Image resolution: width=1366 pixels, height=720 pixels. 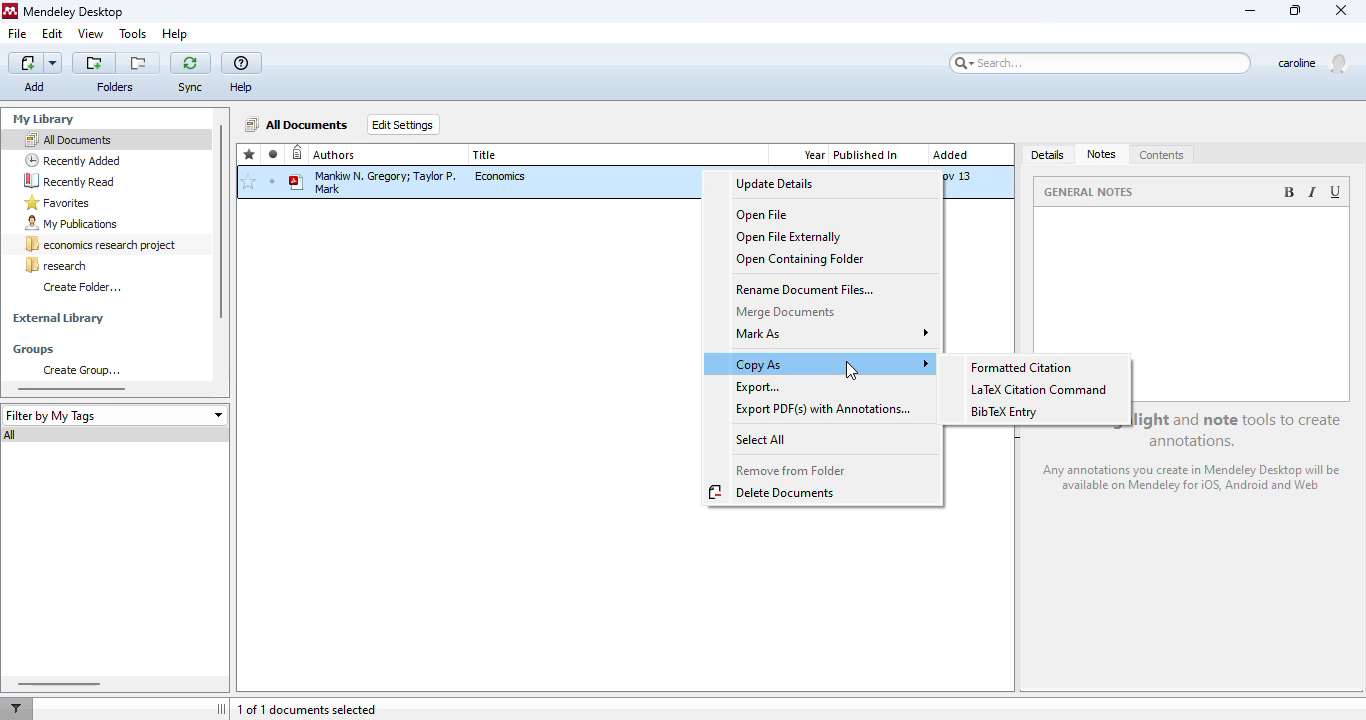 I want to click on help, so click(x=242, y=64).